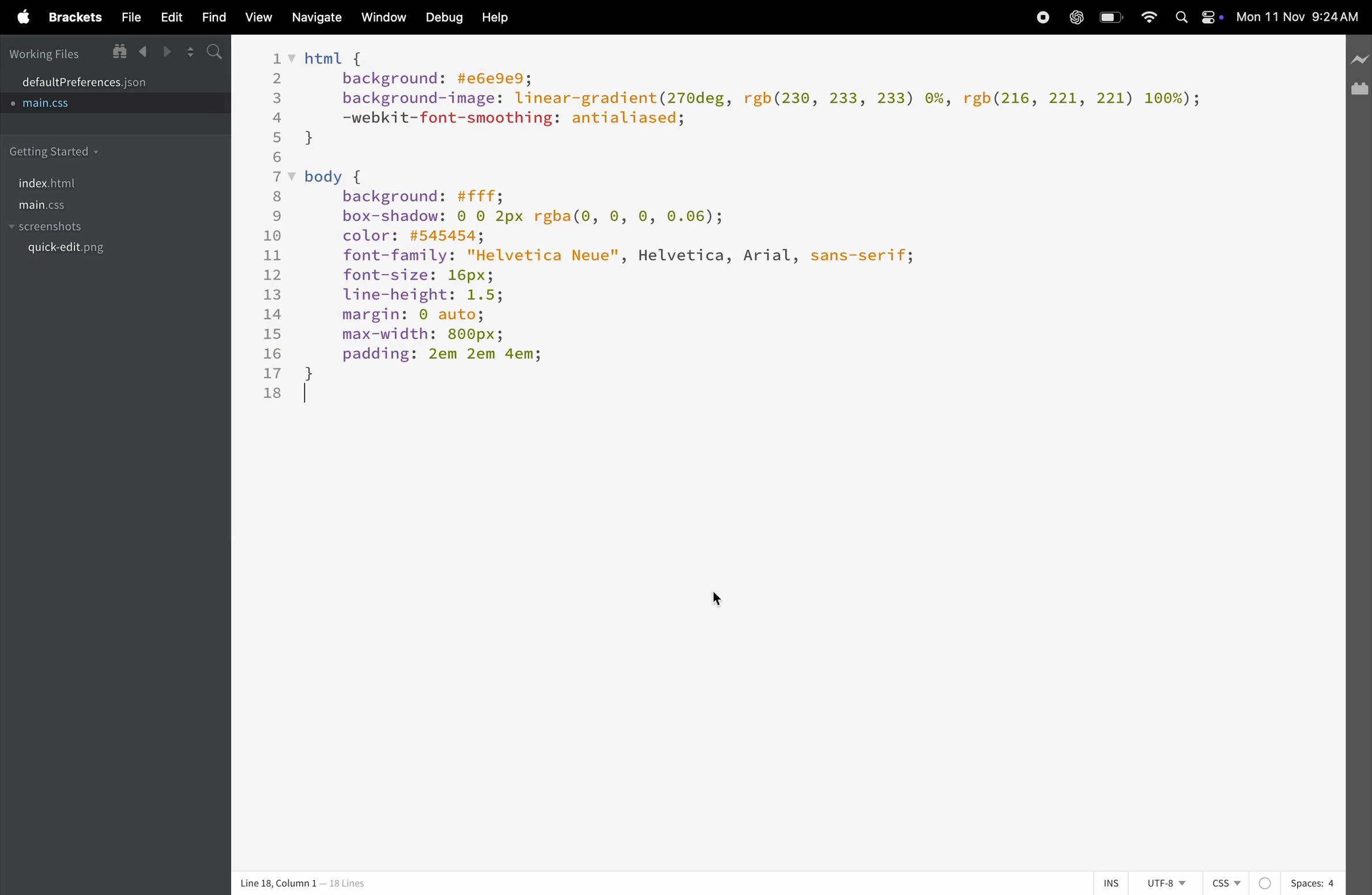 This screenshot has height=895, width=1372. What do you see at coordinates (442, 18) in the screenshot?
I see `debug` at bounding box center [442, 18].